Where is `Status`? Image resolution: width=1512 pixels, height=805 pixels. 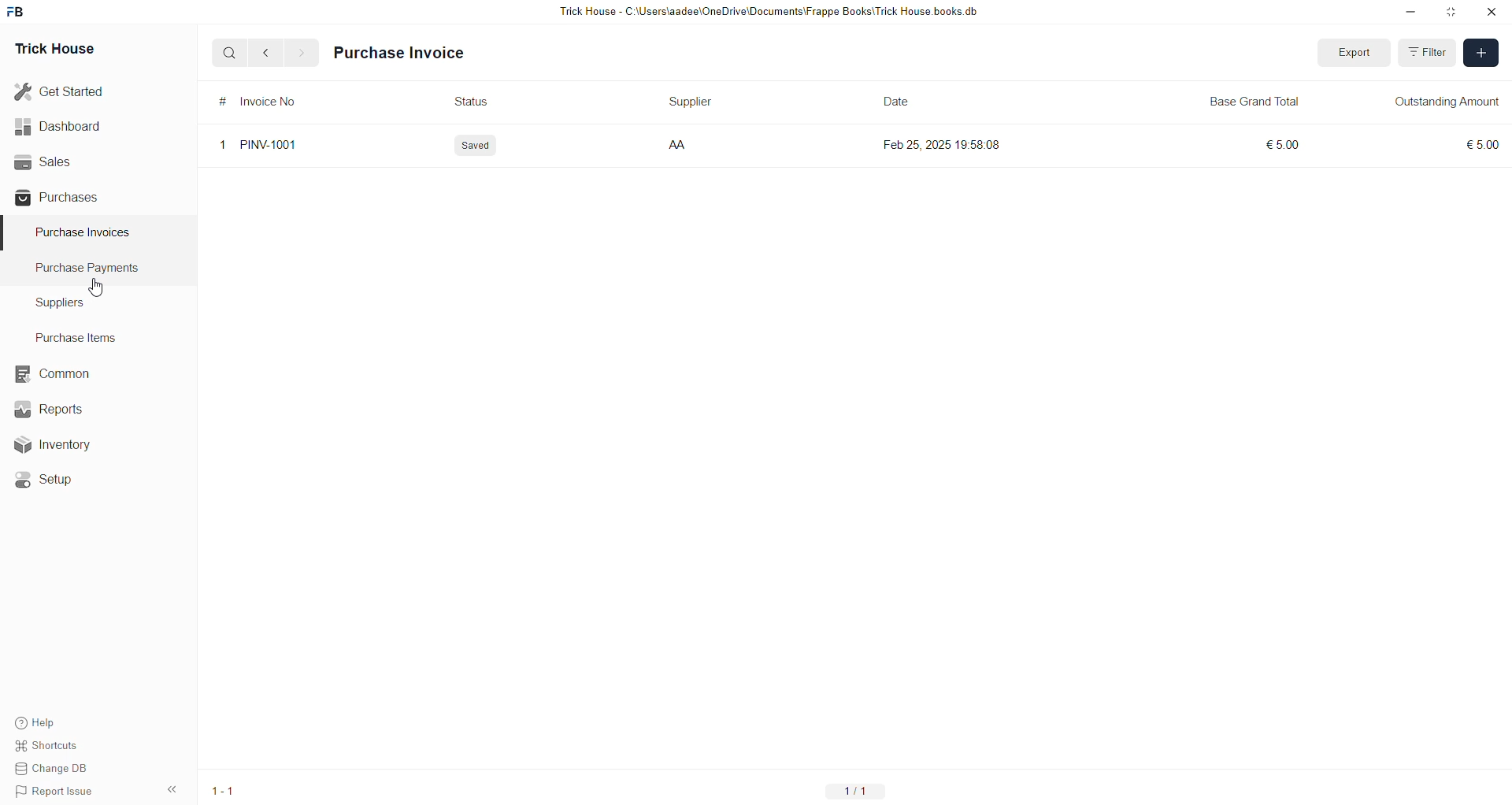 Status is located at coordinates (469, 100).